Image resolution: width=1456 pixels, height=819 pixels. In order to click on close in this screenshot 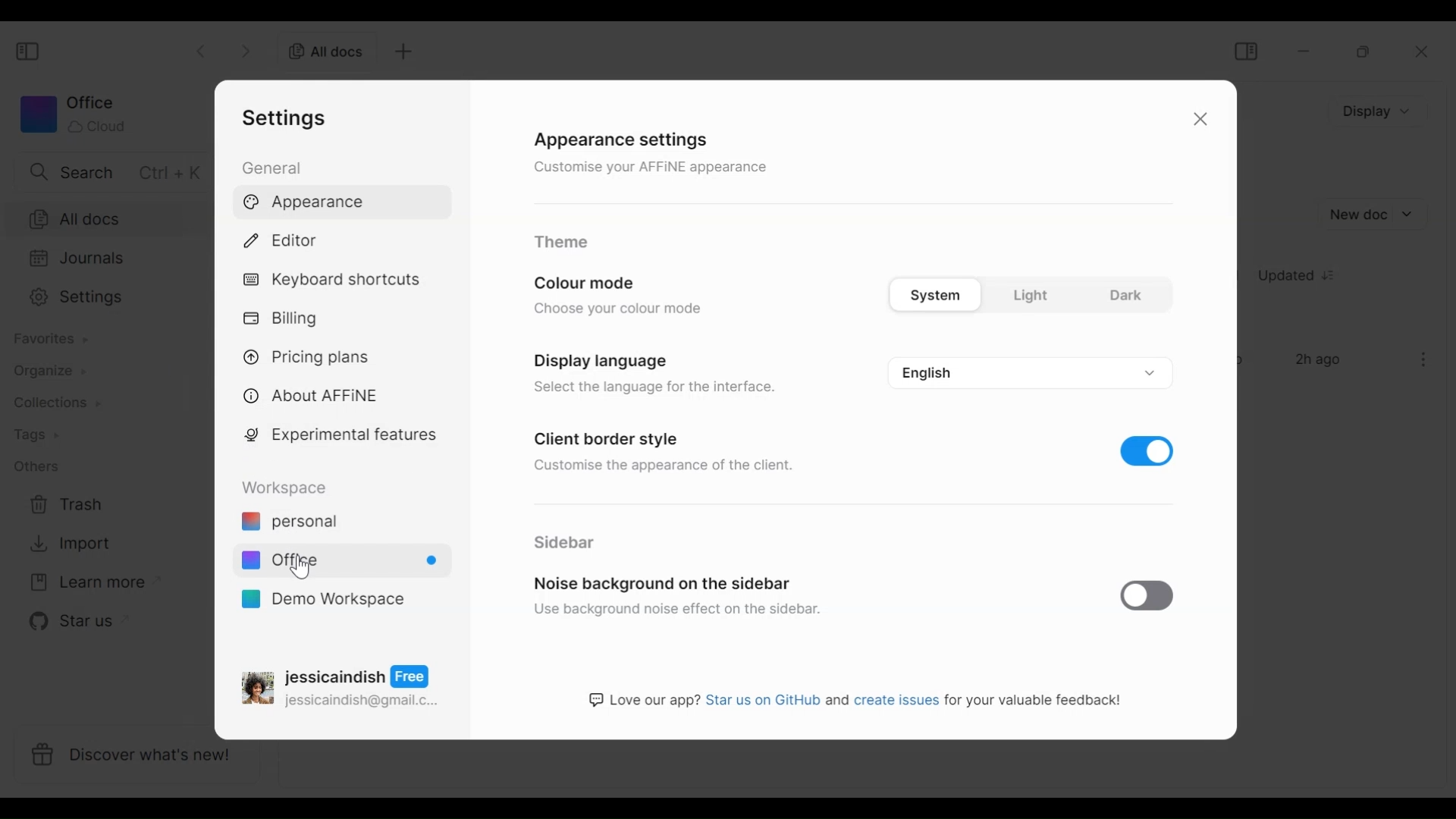, I will do `click(1426, 52)`.